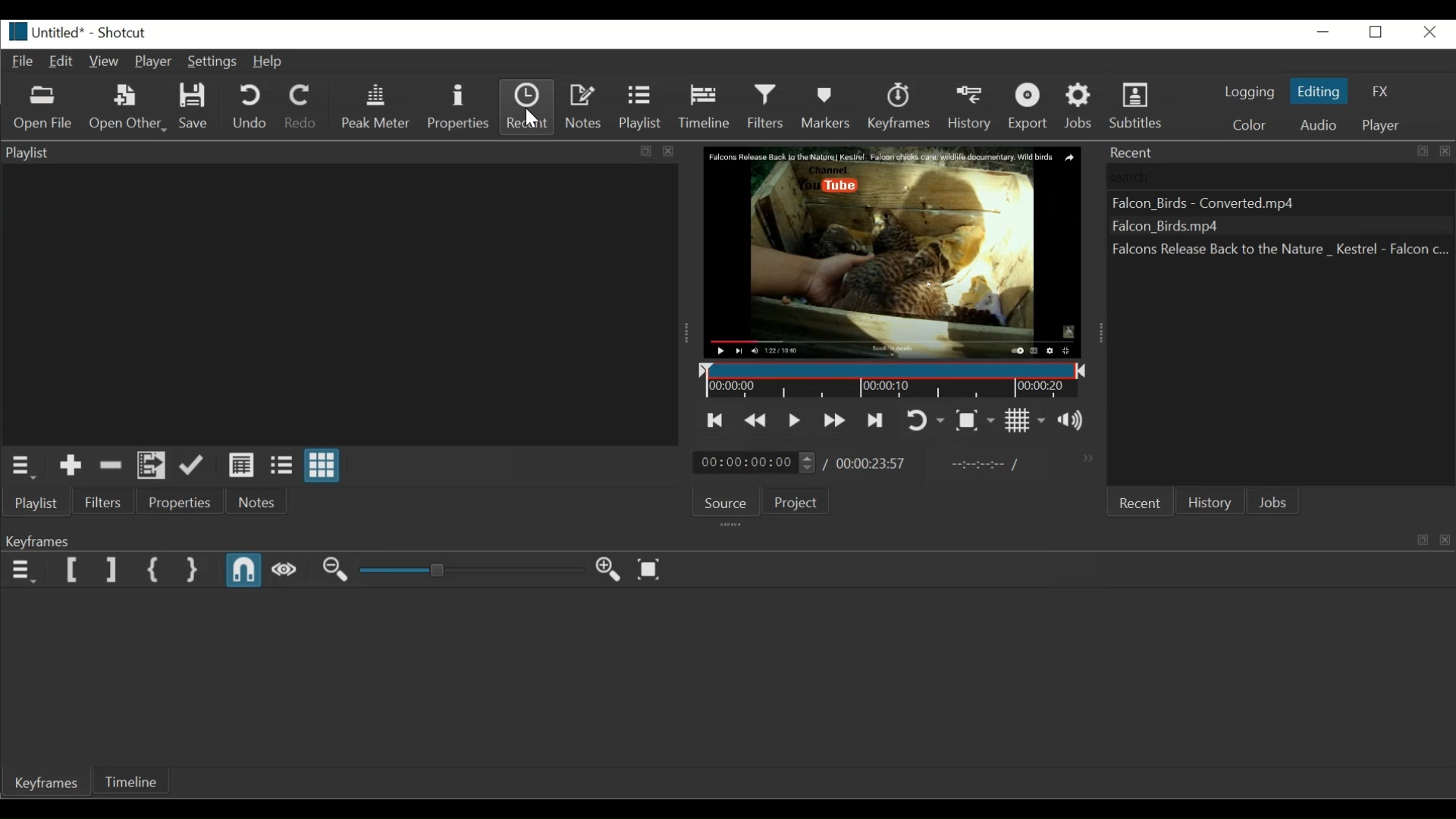 The height and width of the screenshot is (819, 1456). I want to click on Player, so click(1385, 124).